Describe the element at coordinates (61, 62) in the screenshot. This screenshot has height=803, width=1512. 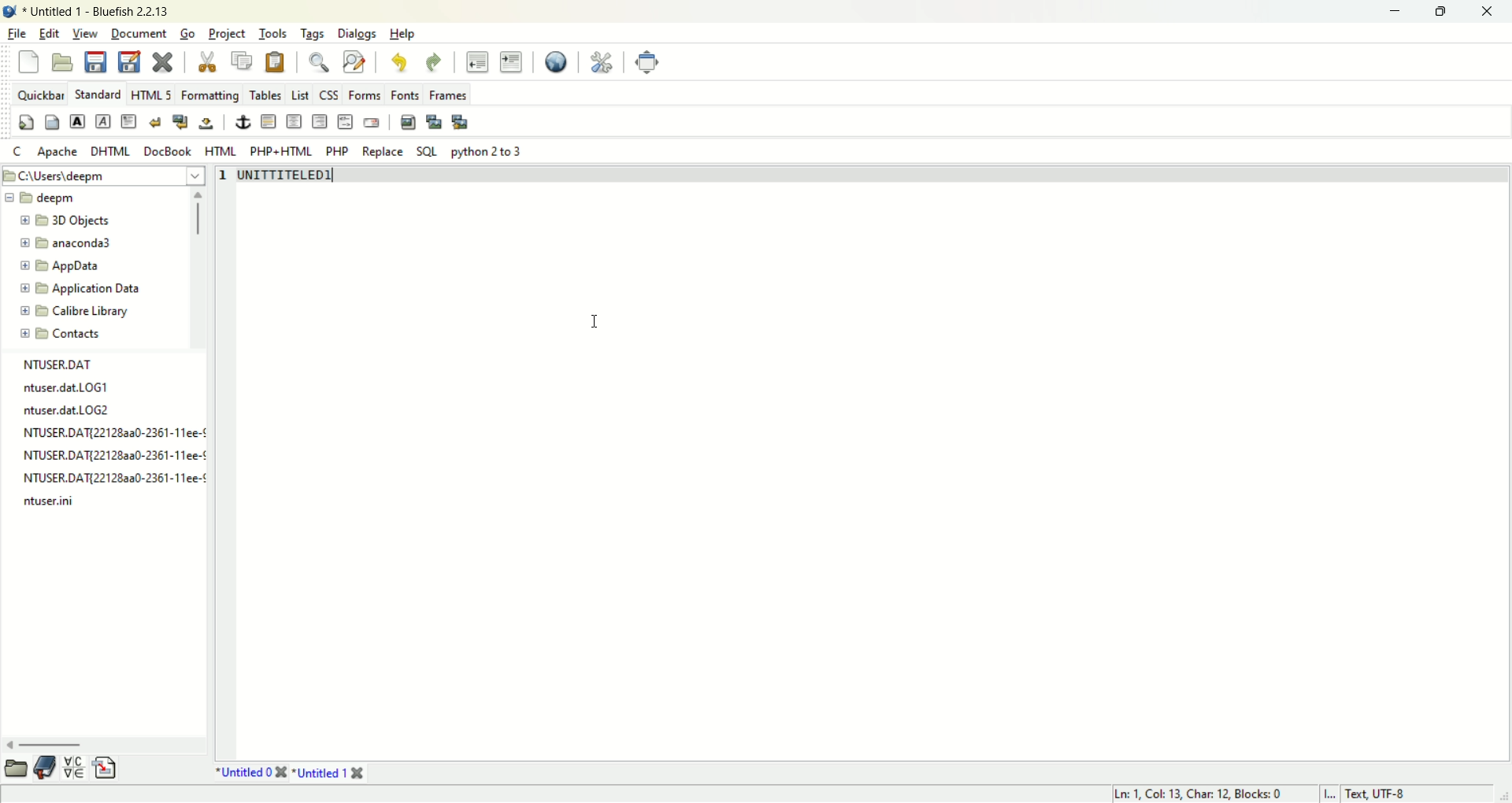
I see `open` at that location.